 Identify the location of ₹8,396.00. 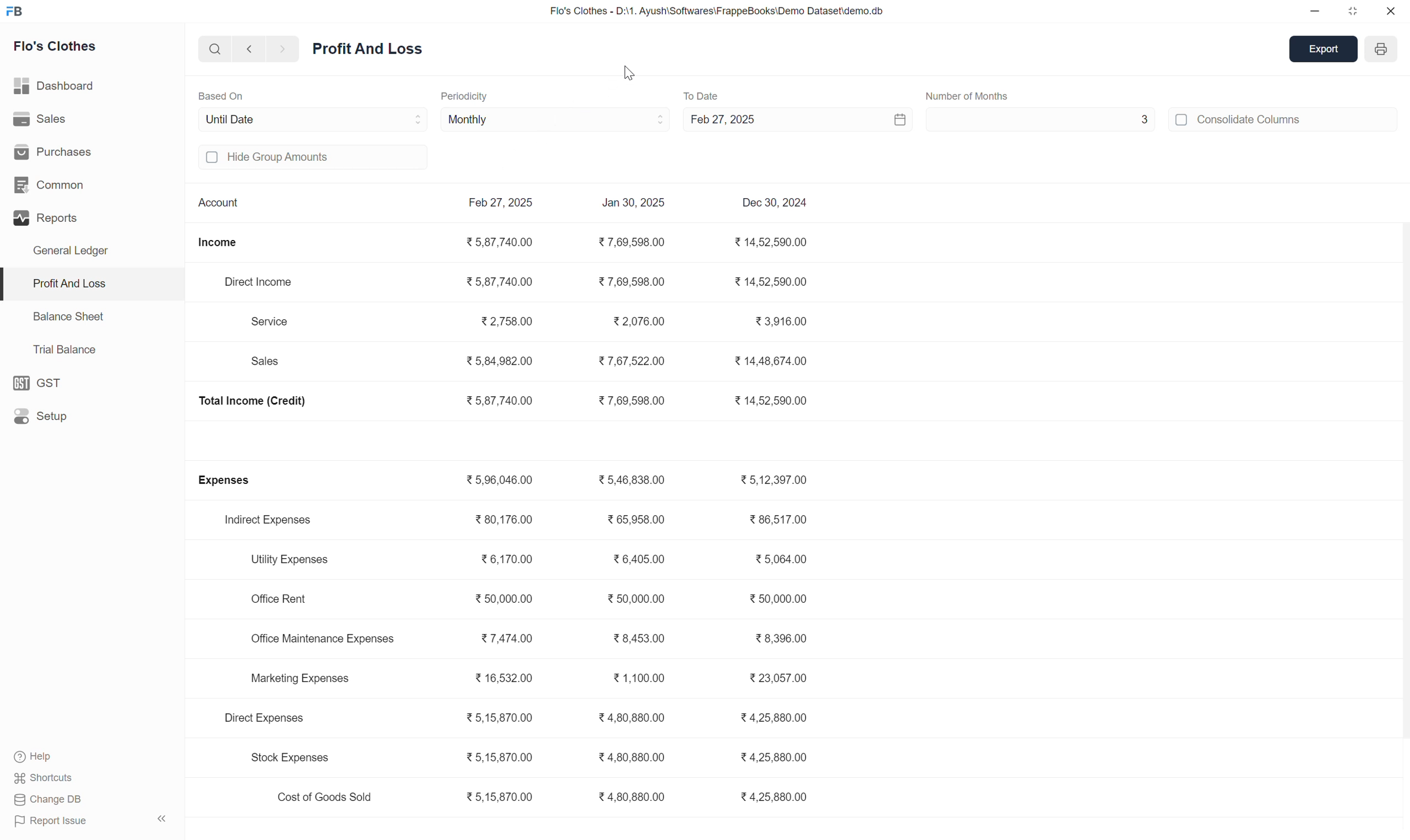
(781, 639).